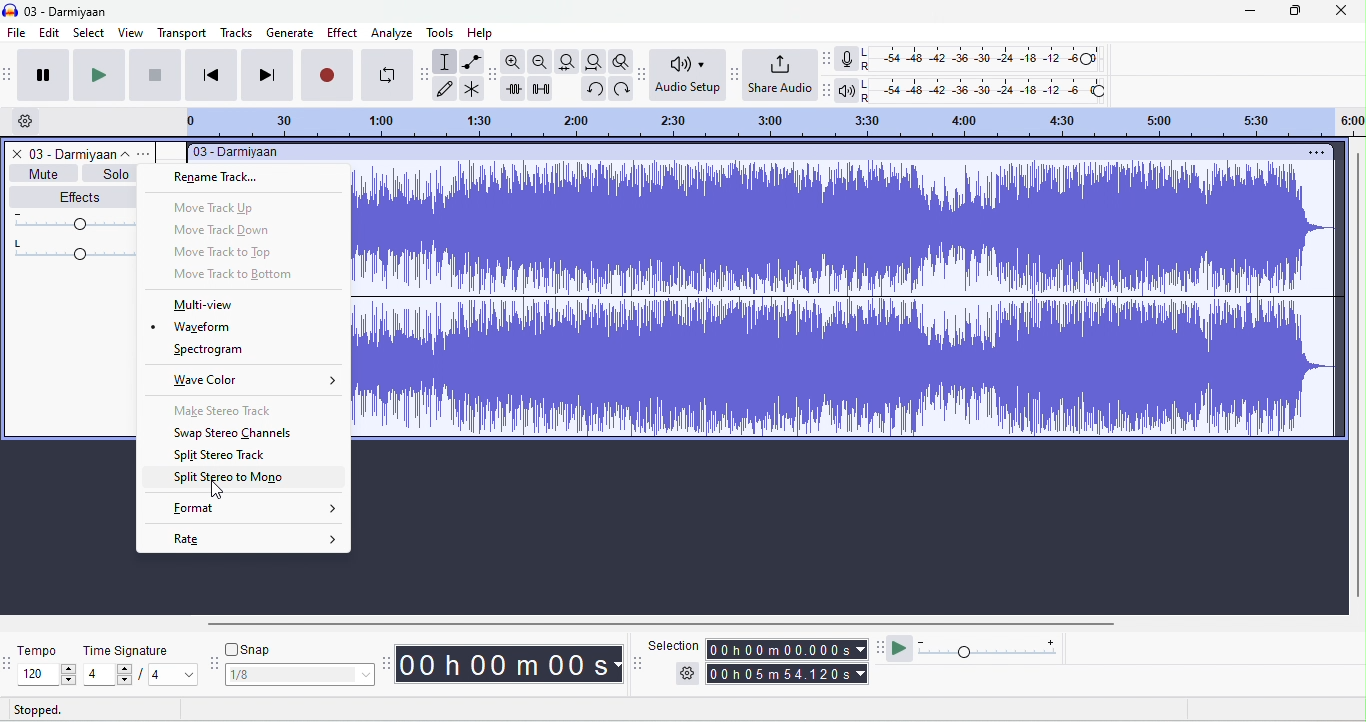 This screenshot has height=722, width=1366. I want to click on time signature, so click(128, 648).